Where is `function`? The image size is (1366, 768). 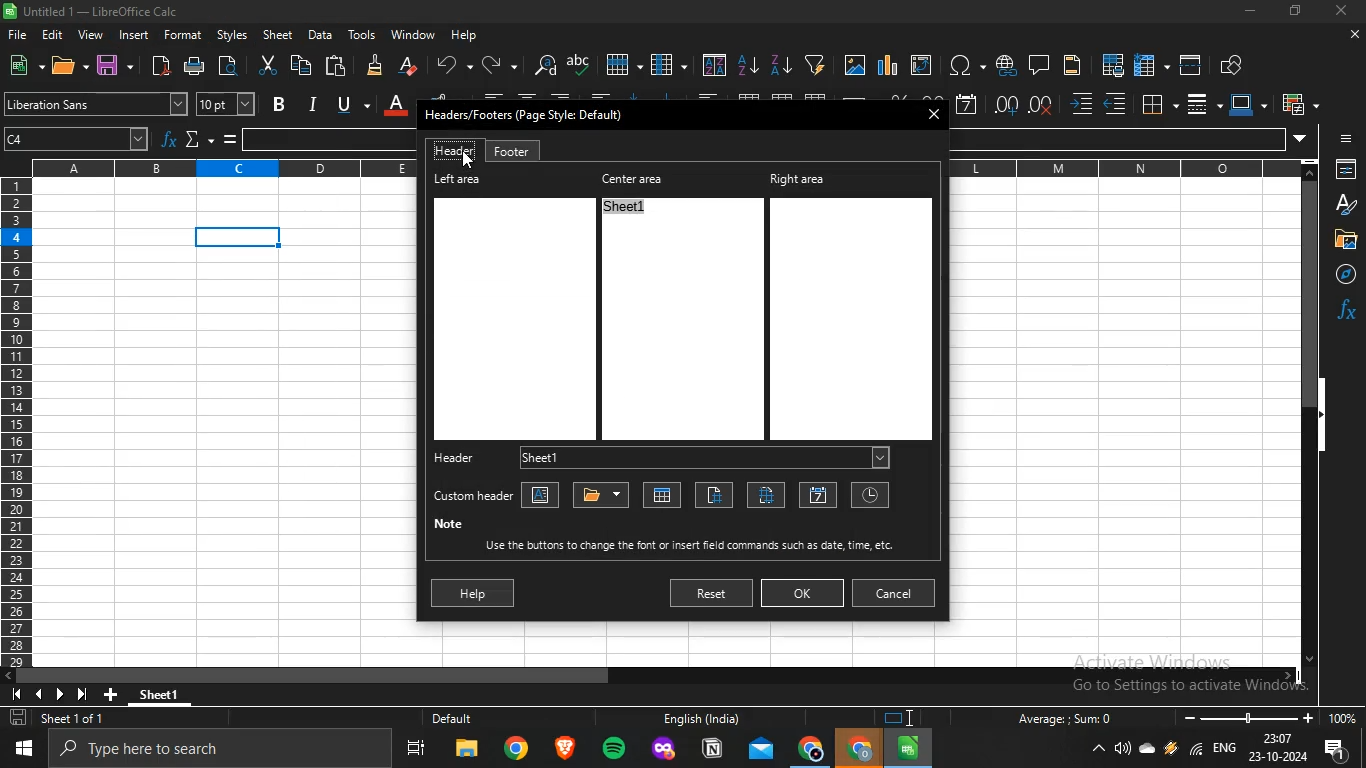 function is located at coordinates (1346, 309).